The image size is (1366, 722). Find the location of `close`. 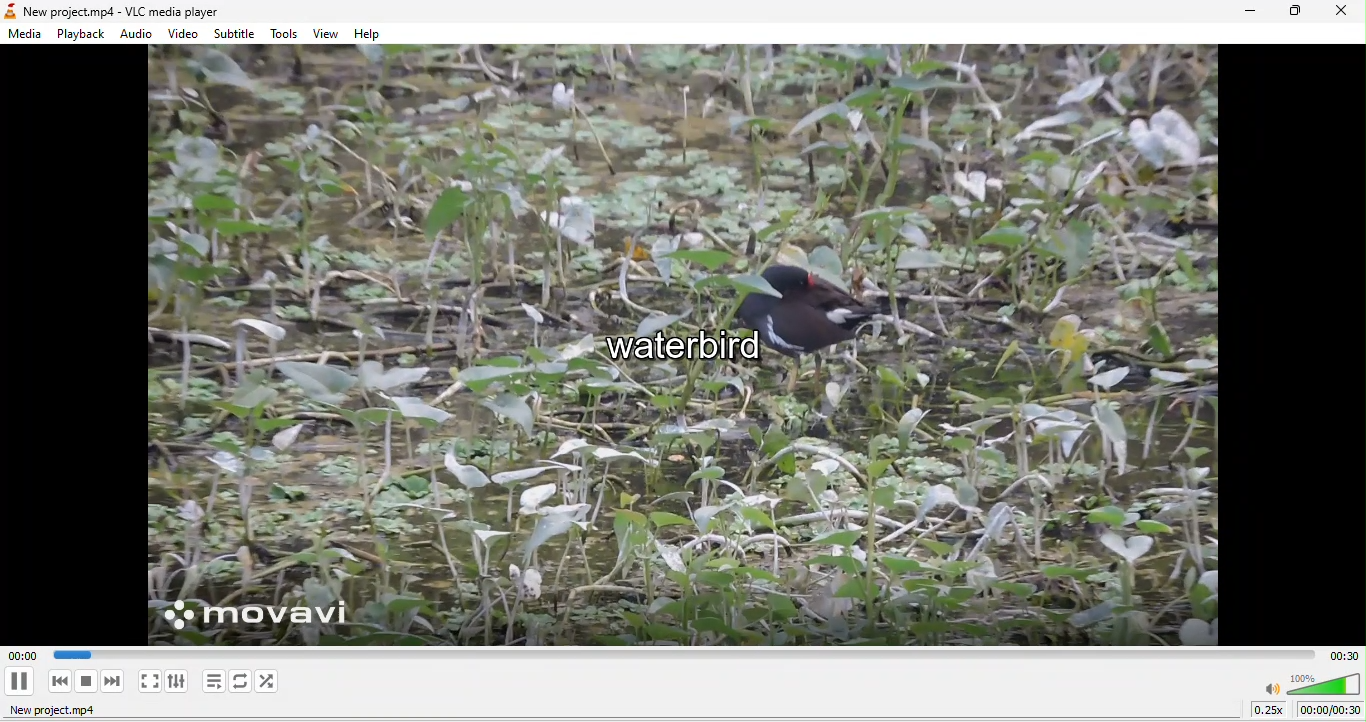

close is located at coordinates (1342, 14).